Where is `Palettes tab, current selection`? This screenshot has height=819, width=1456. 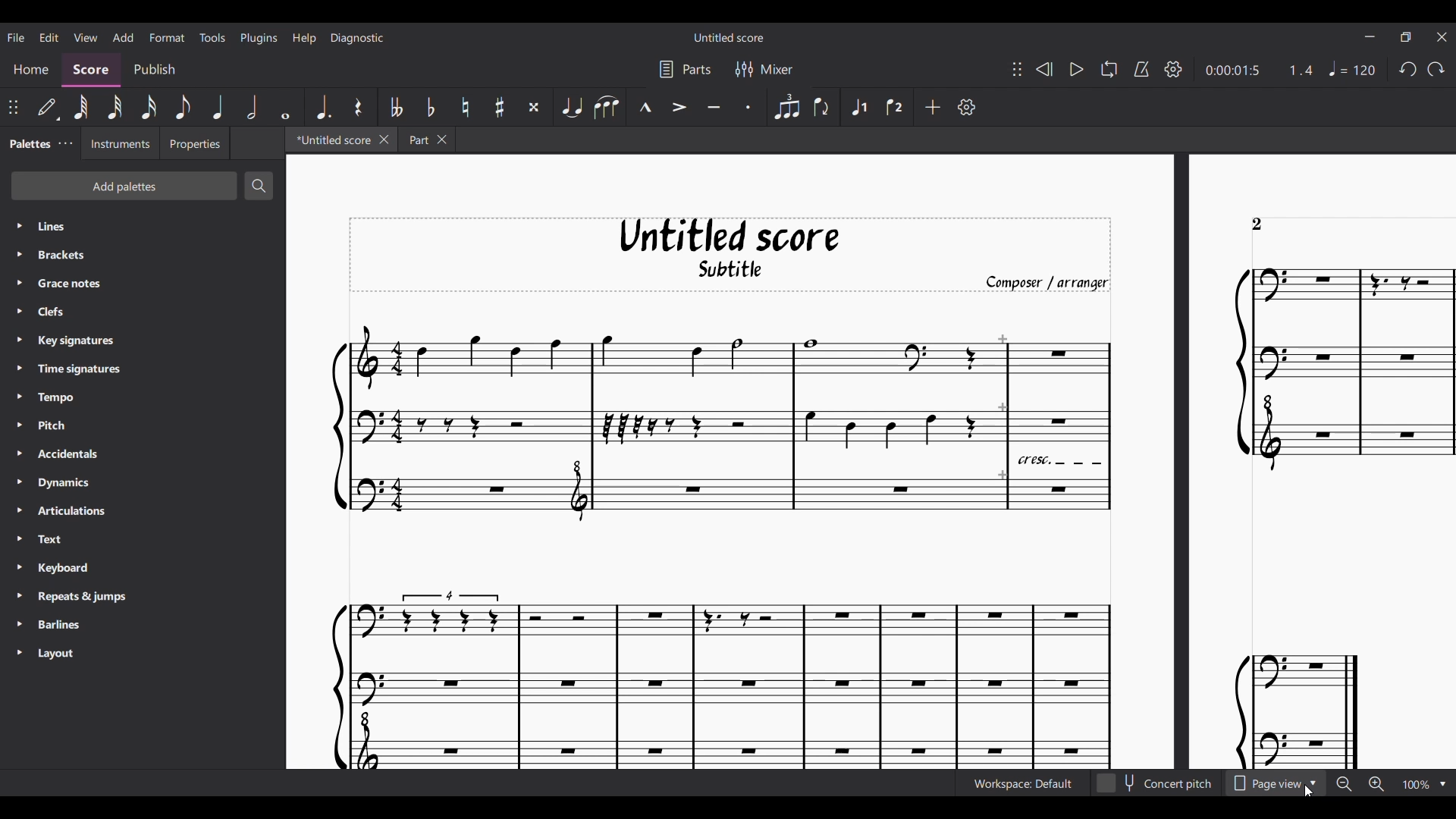 Palettes tab, current selection is located at coordinates (29, 144).